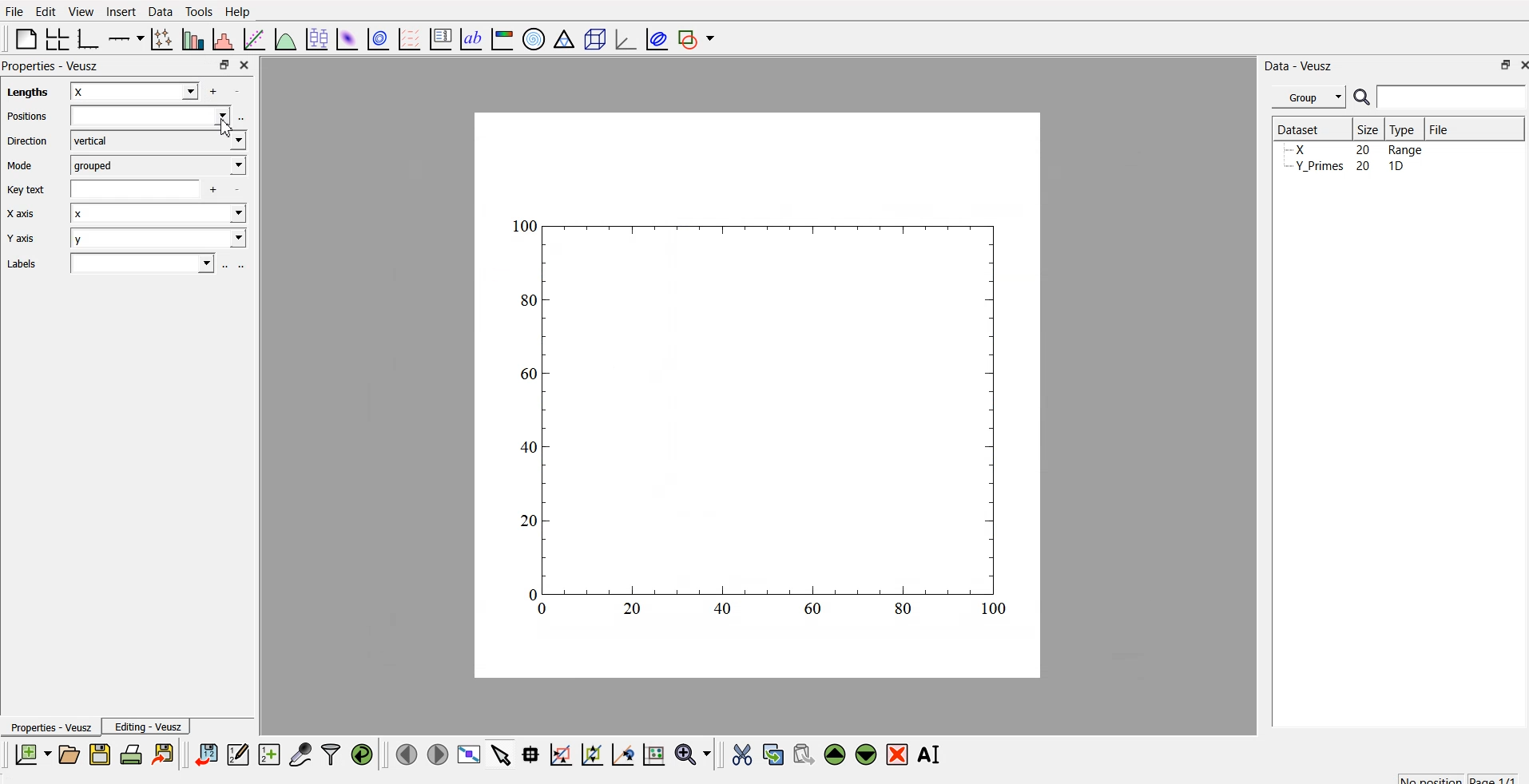 The image size is (1529, 784). Describe the element at coordinates (1301, 63) in the screenshot. I see `Data - Veusz` at that location.